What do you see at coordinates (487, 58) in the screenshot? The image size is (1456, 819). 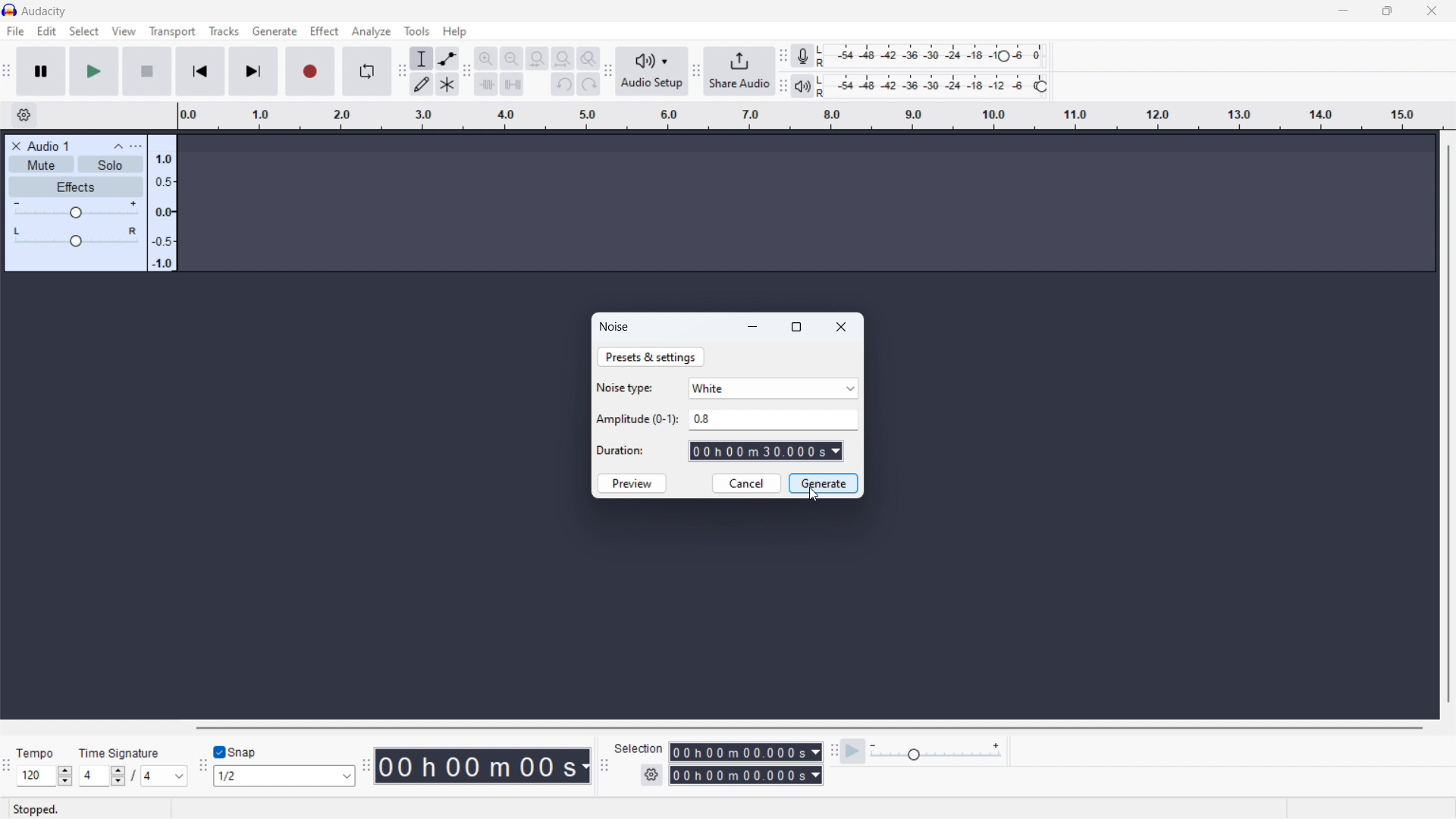 I see `zoom in` at bounding box center [487, 58].